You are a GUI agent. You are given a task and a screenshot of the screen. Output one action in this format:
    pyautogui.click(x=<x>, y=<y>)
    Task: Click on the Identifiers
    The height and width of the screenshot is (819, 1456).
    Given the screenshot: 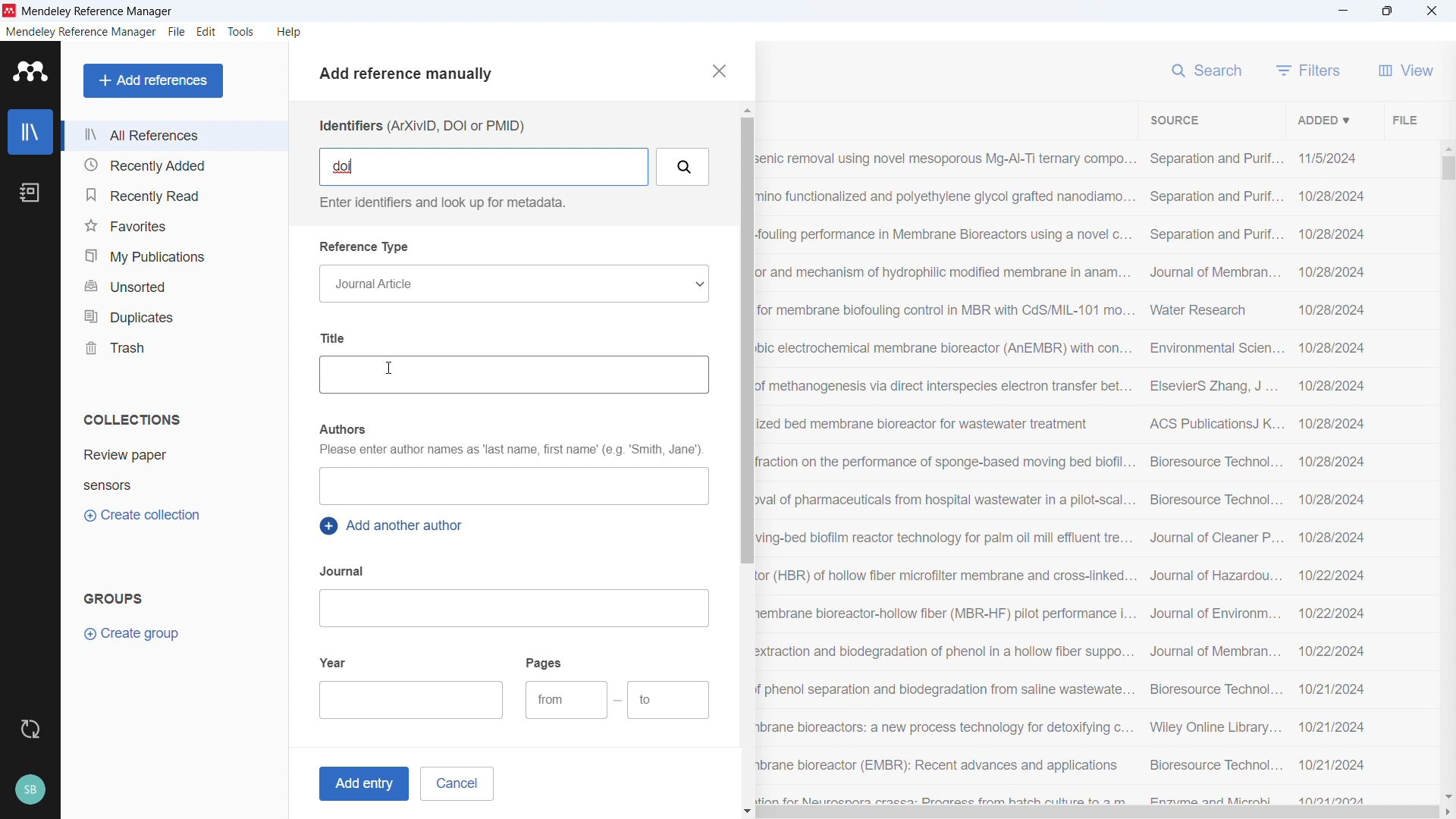 What is the action you would take?
    pyautogui.click(x=421, y=126)
    